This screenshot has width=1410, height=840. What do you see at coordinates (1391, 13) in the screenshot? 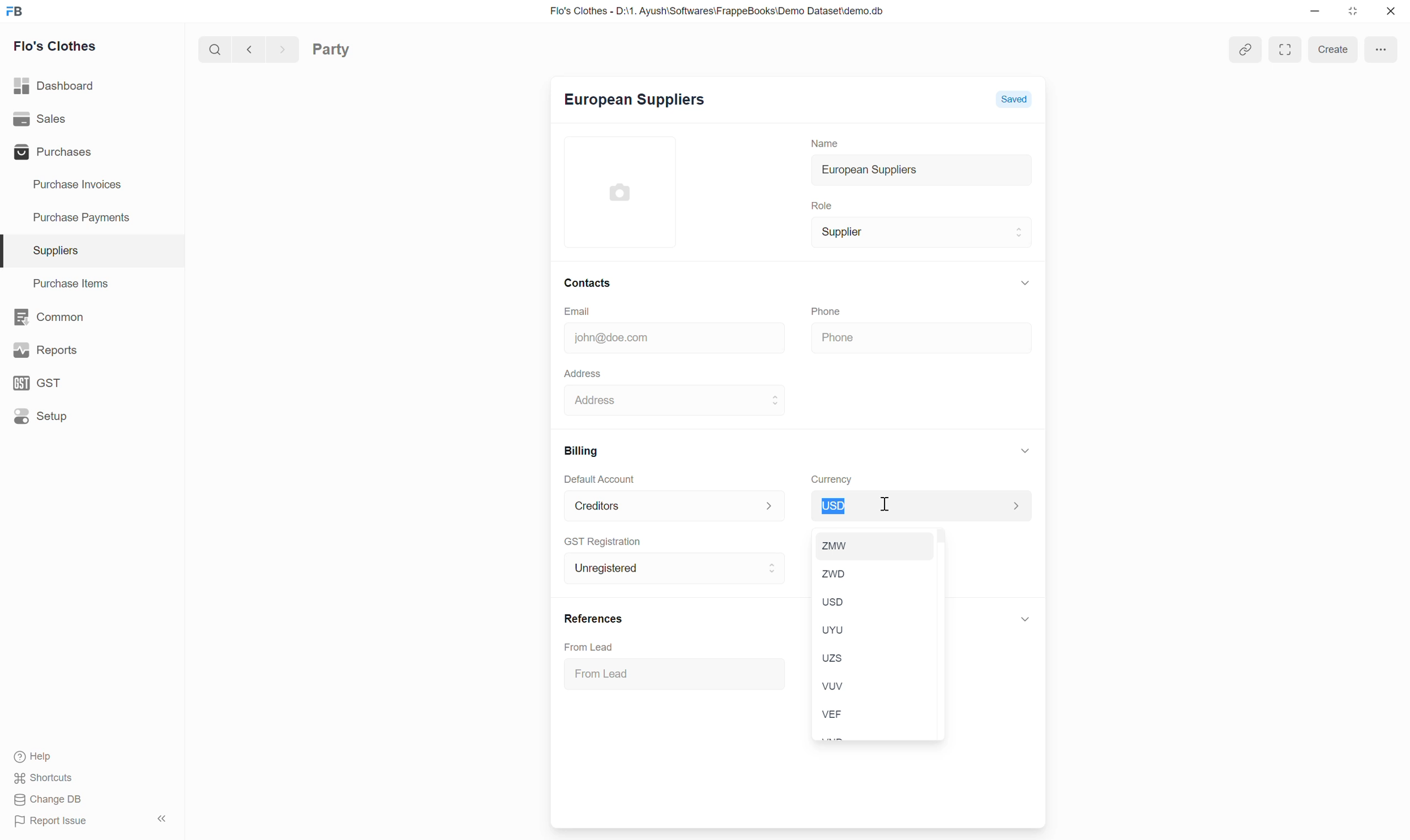
I see `close` at bounding box center [1391, 13].